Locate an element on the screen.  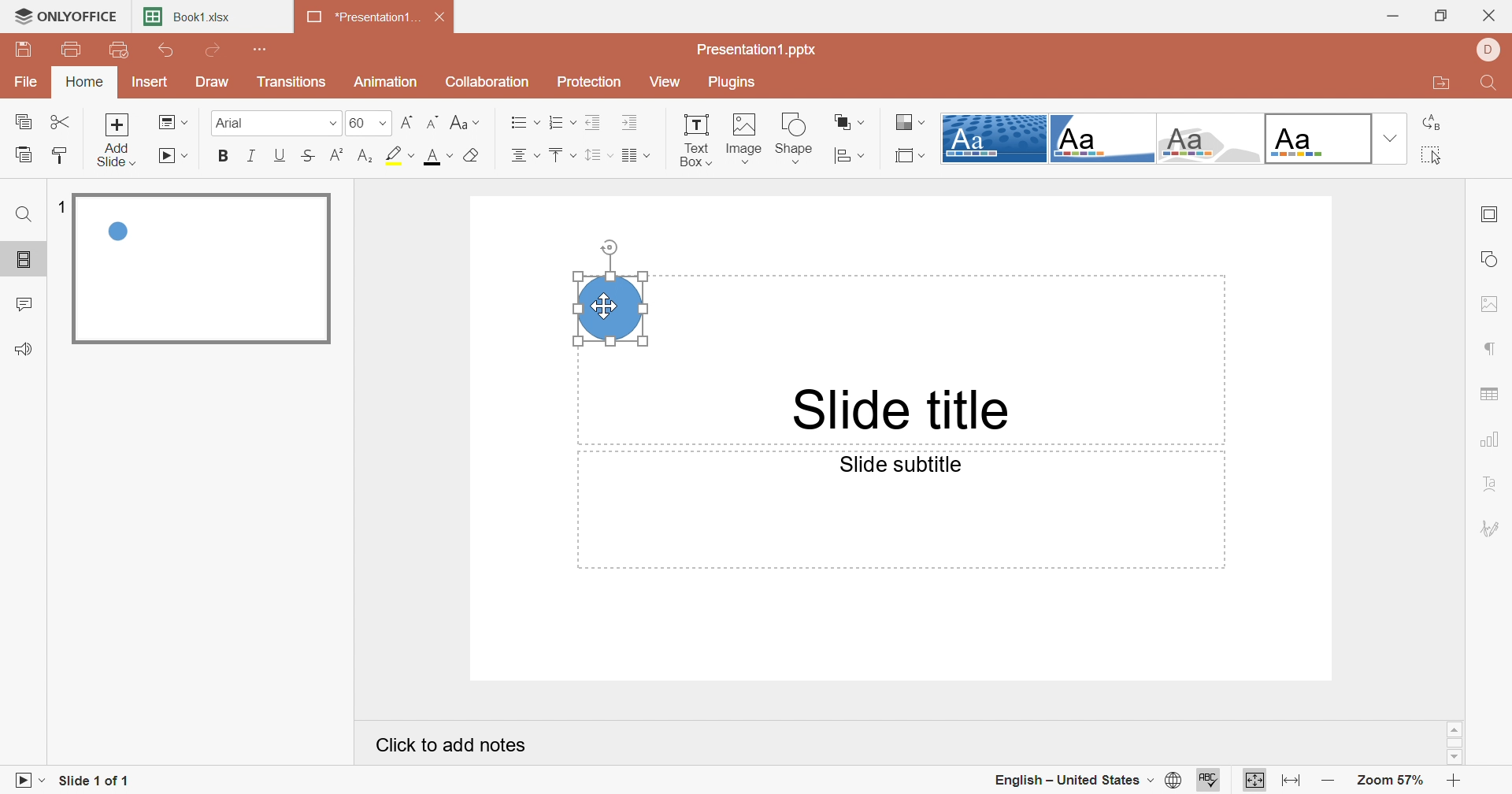
Replace is located at coordinates (1432, 123).